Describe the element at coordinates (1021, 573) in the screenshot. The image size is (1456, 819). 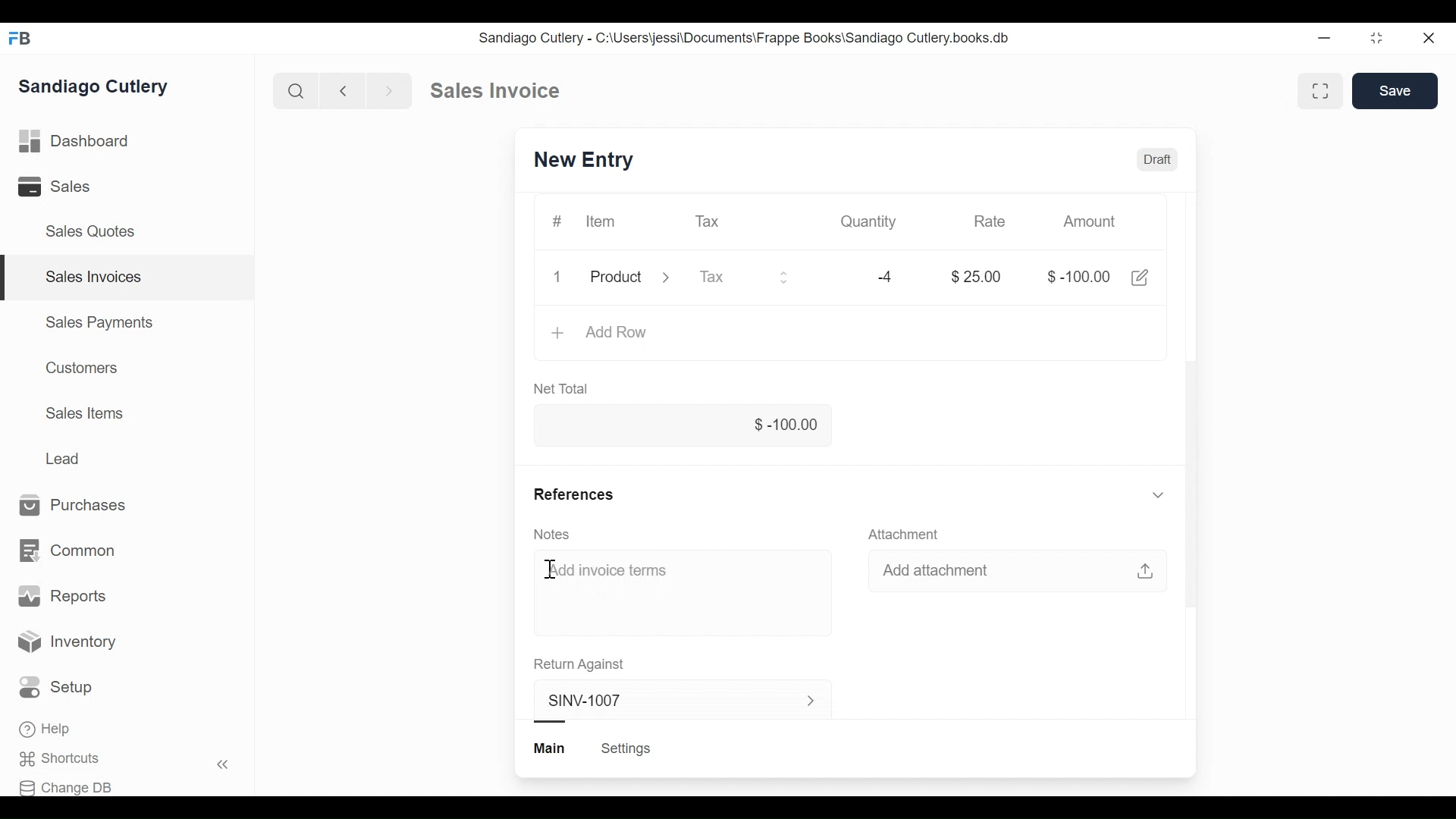
I see `Add attachment` at that location.